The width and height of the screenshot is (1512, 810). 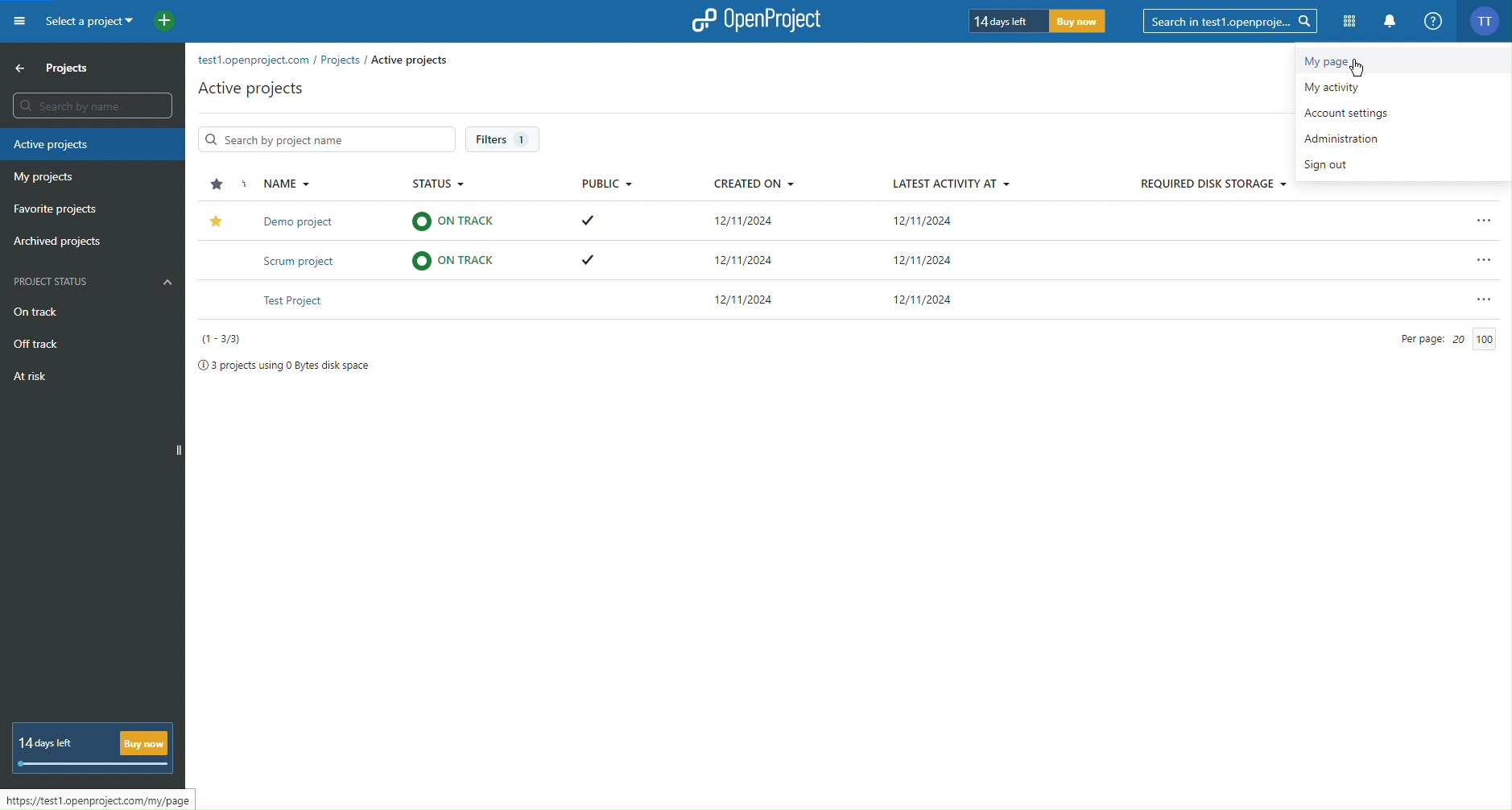 What do you see at coordinates (1338, 85) in the screenshot?
I see `My activity` at bounding box center [1338, 85].